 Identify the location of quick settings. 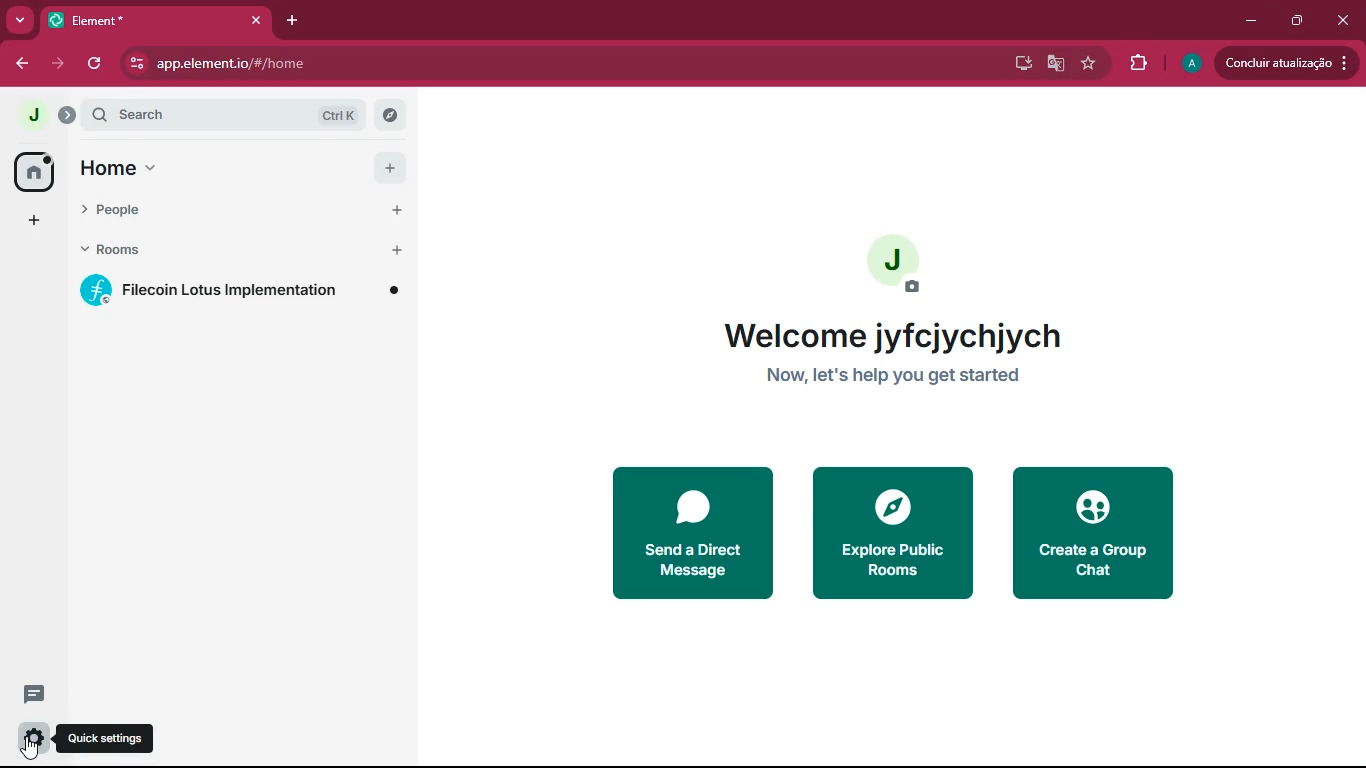
(114, 734).